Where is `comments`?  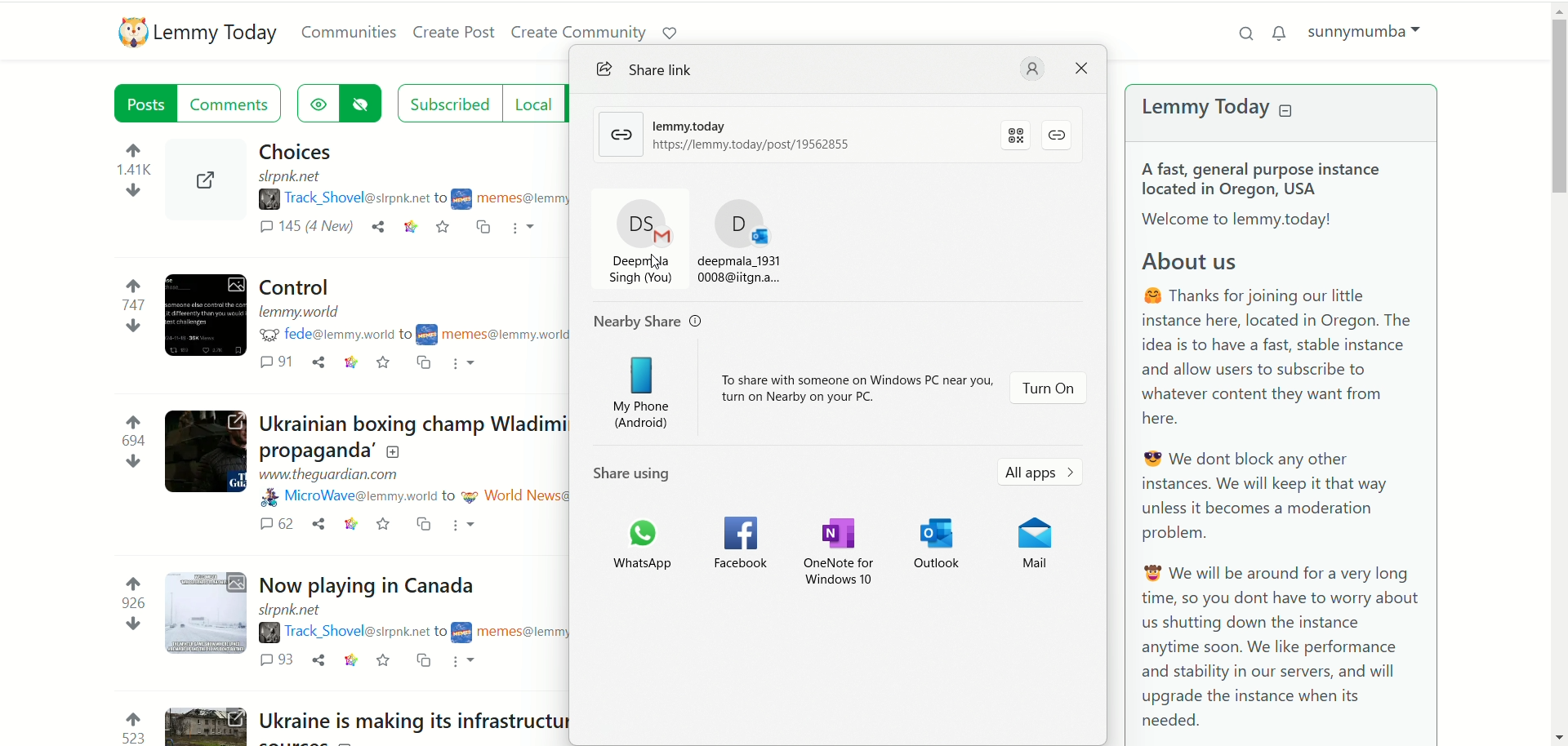 comments is located at coordinates (279, 661).